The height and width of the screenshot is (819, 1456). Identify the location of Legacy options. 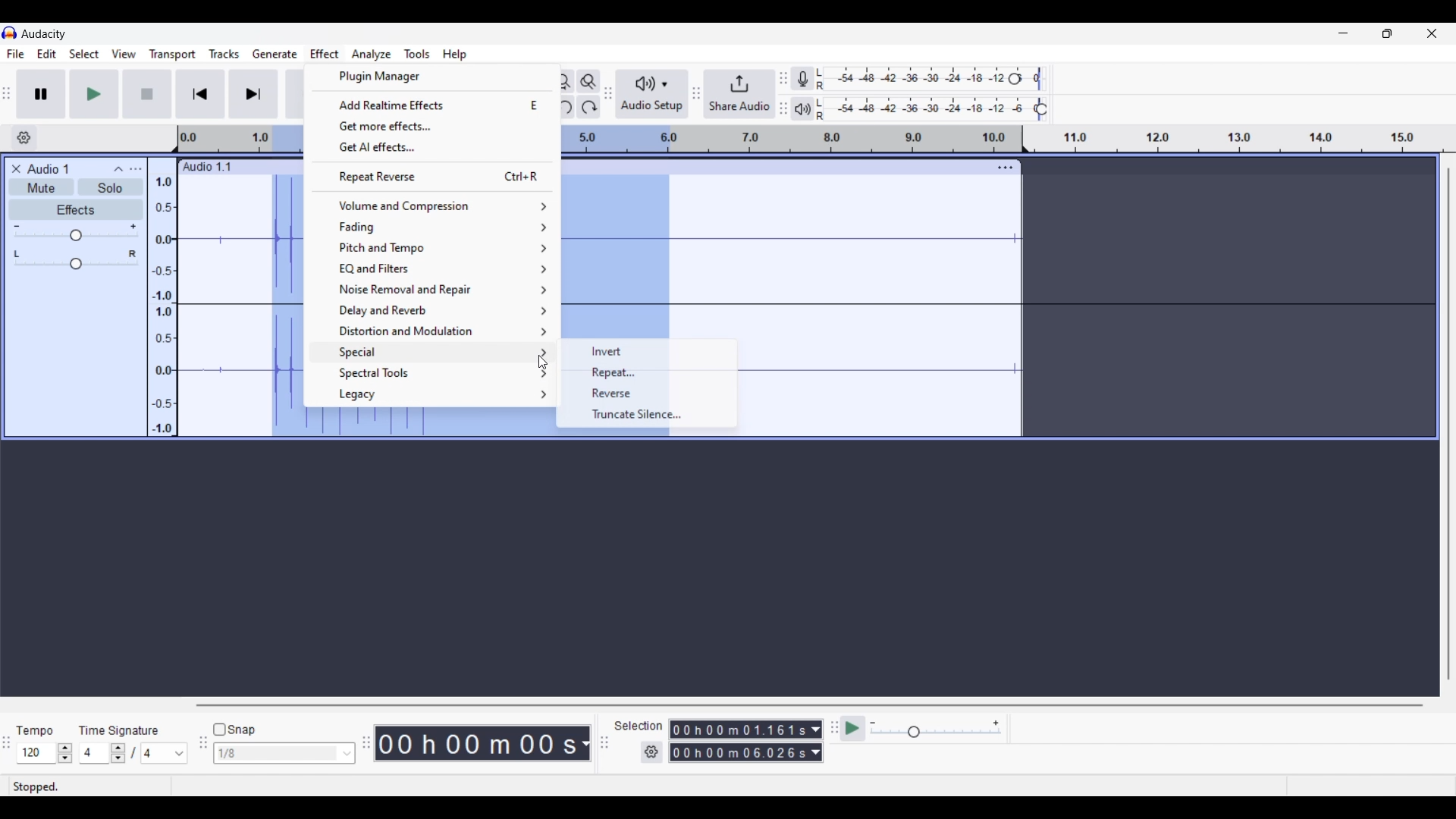
(433, 395).